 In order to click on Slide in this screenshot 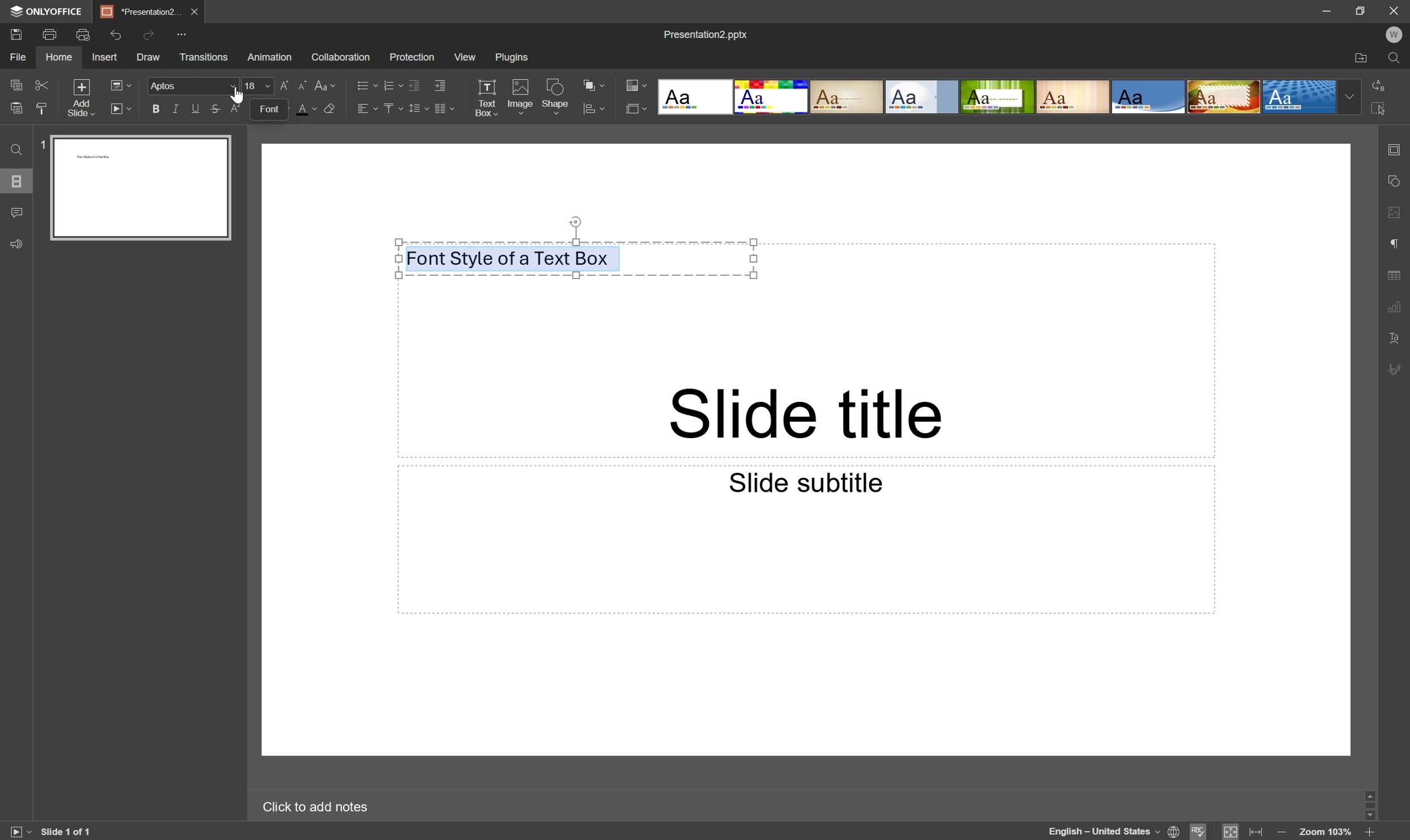, I will do `click(140, 187)`.